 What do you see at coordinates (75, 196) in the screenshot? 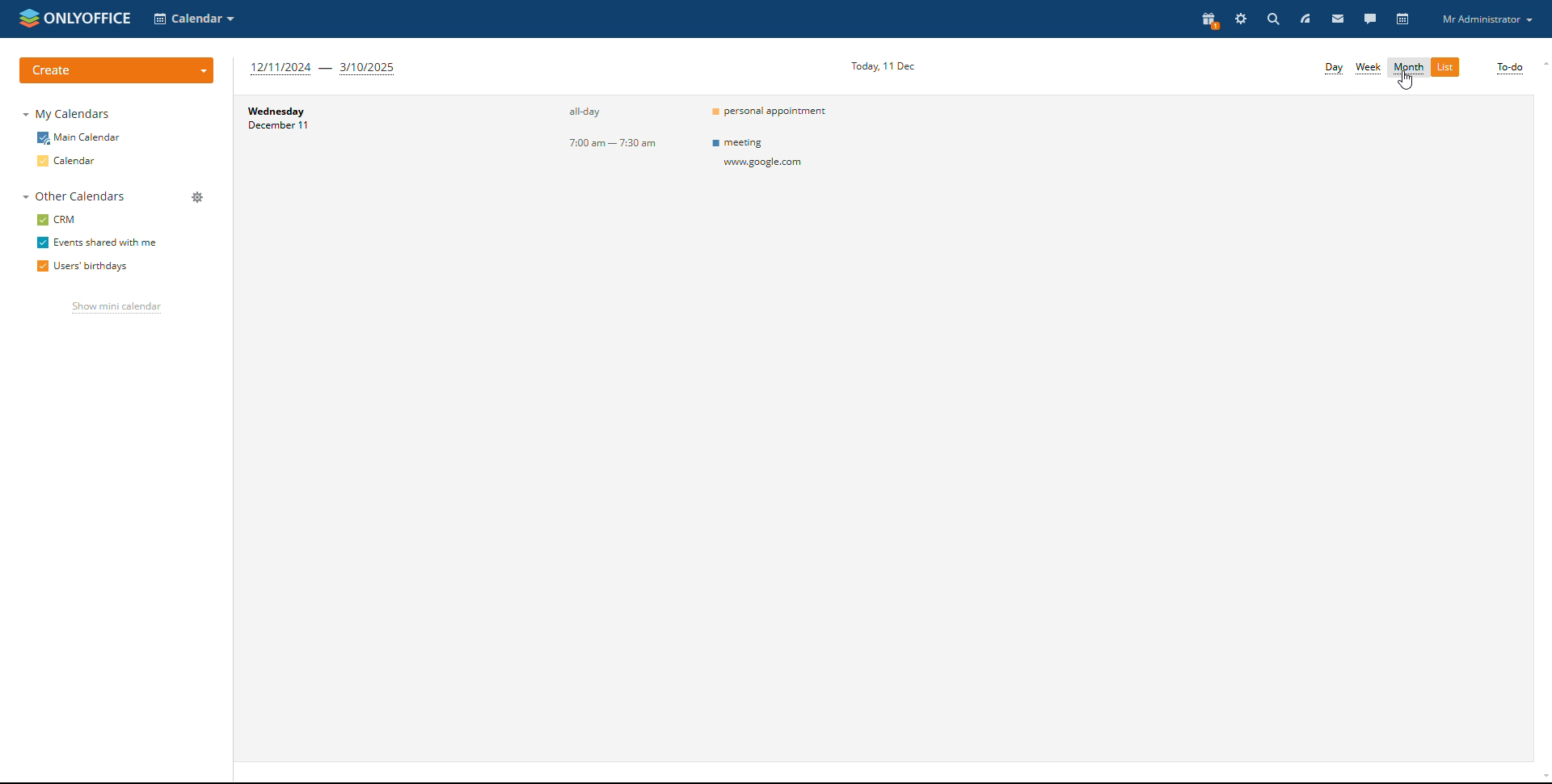
I see `other calendars` at bounding box center [75, 196].